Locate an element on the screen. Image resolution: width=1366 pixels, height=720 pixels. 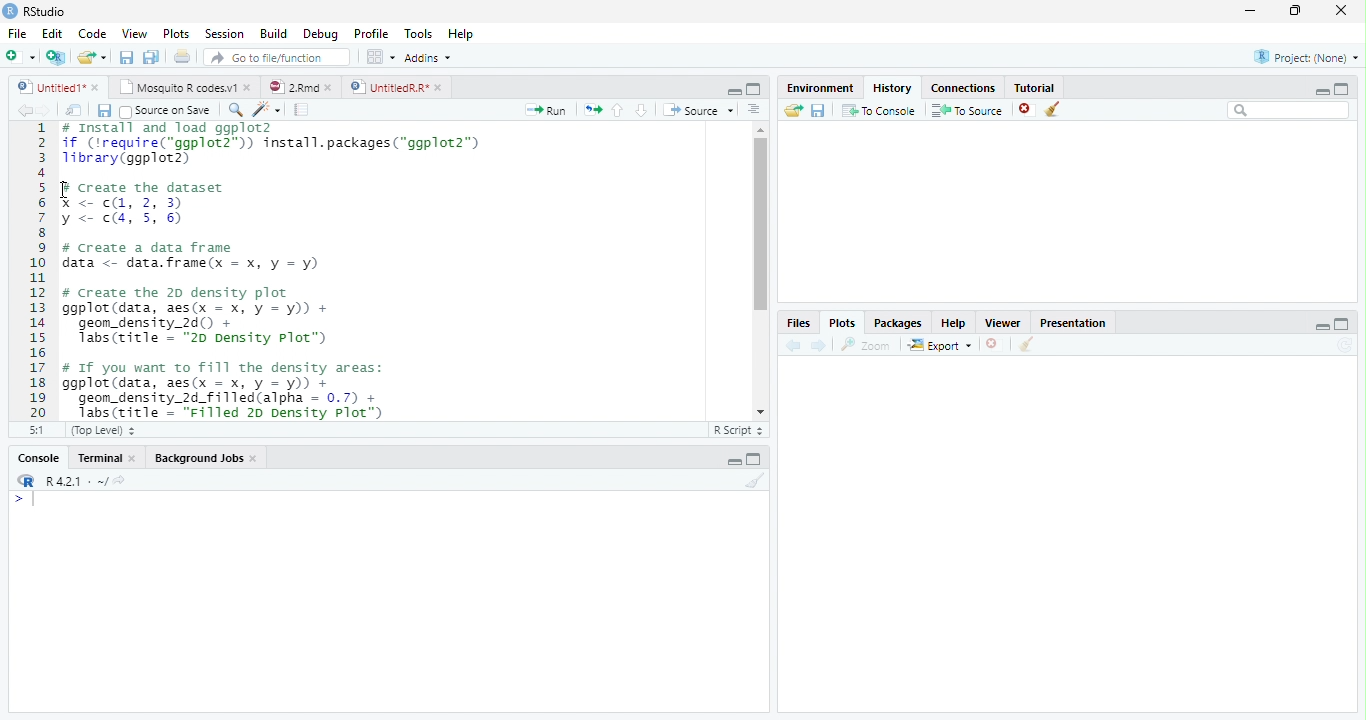
New file is located at coordinates (20, 57).